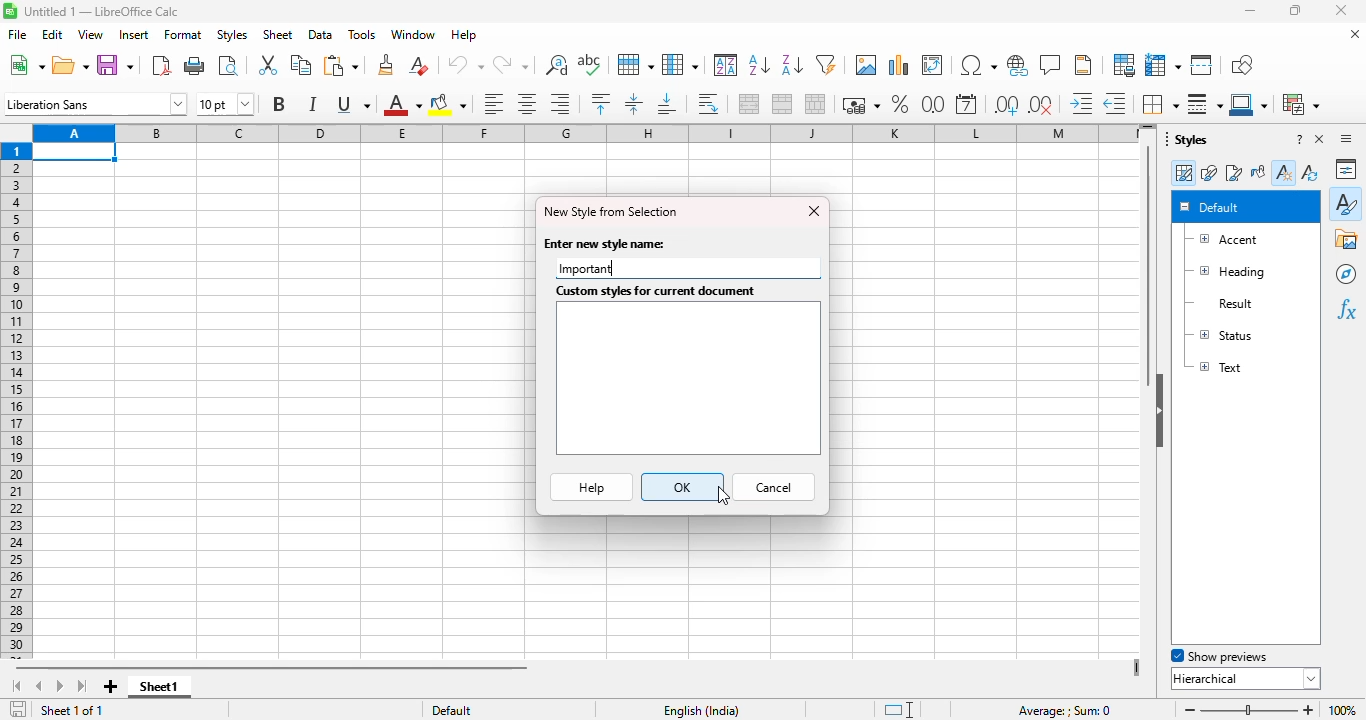  I want to click on merge and center or unmerge cells depending on the current toggle state, so click(750, 104).